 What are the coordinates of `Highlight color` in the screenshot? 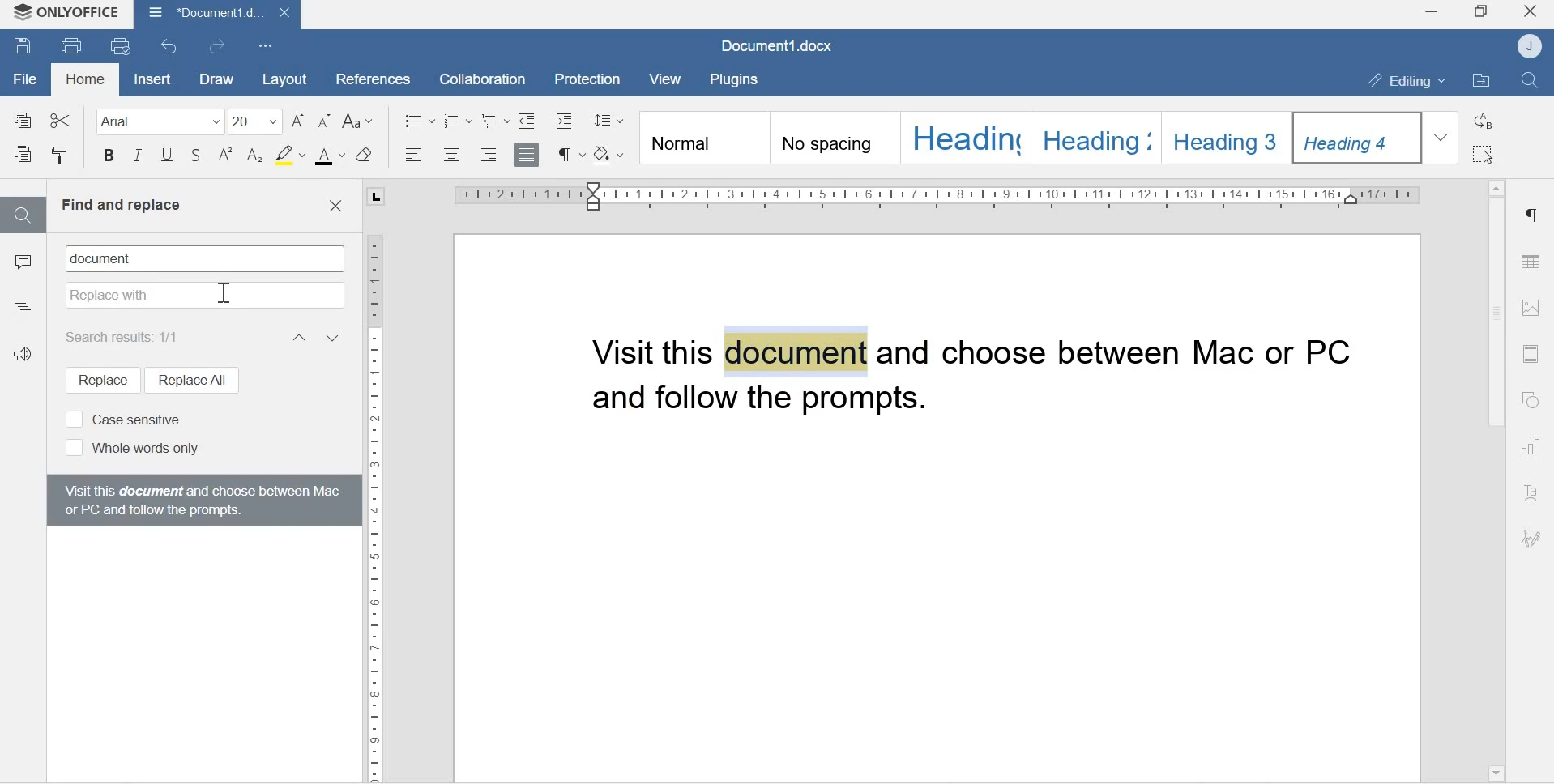 It's located at (289, 154).